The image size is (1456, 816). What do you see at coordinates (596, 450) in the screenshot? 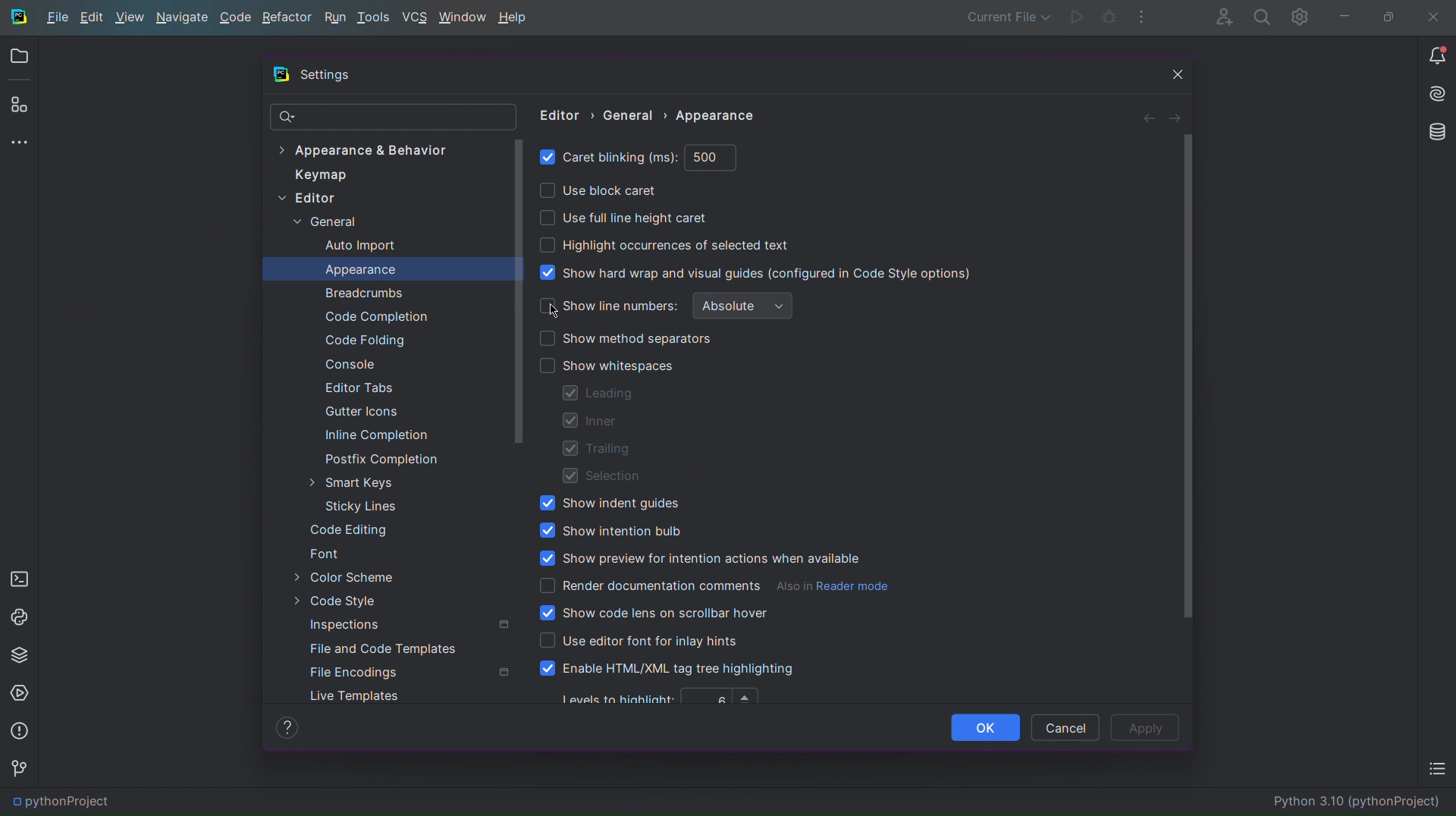
I see `Trailing` at bounding box center [596, 450].